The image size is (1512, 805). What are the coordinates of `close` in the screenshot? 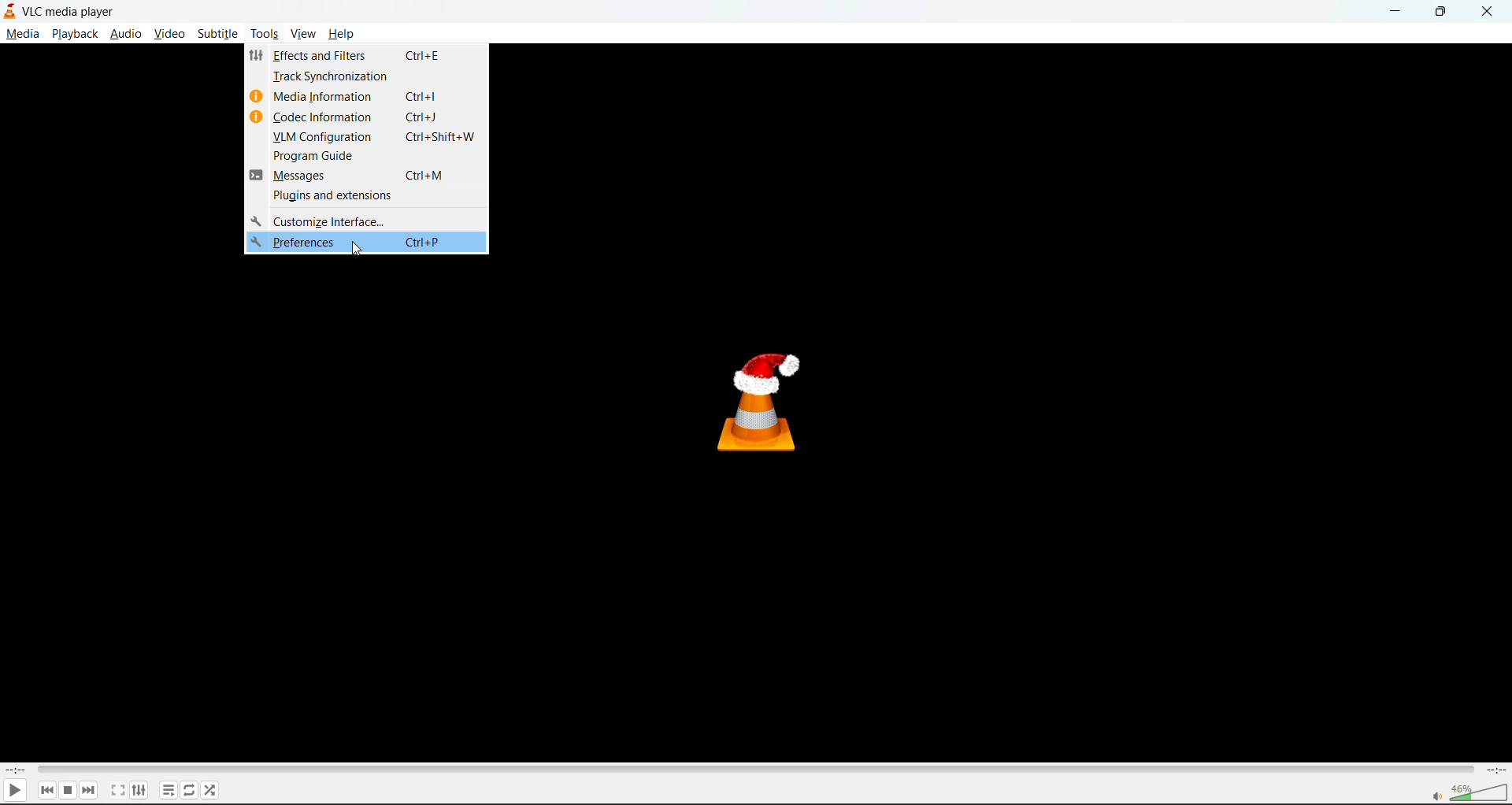 It's located at (1492, 11).